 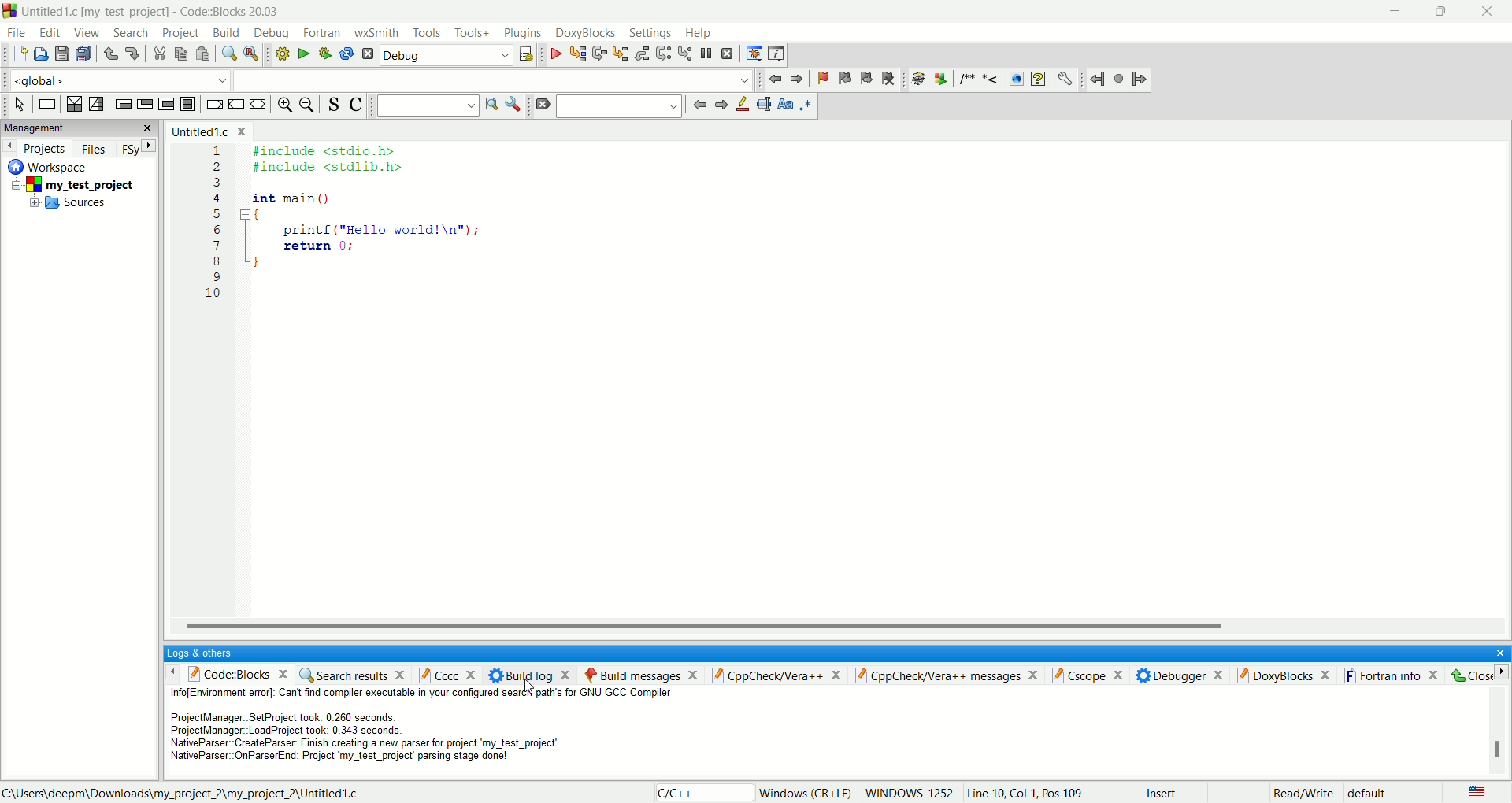 What do you see at coordinates (213, 105) in the screenshot?
I see `break instruction` at bounding box center [213, 105].